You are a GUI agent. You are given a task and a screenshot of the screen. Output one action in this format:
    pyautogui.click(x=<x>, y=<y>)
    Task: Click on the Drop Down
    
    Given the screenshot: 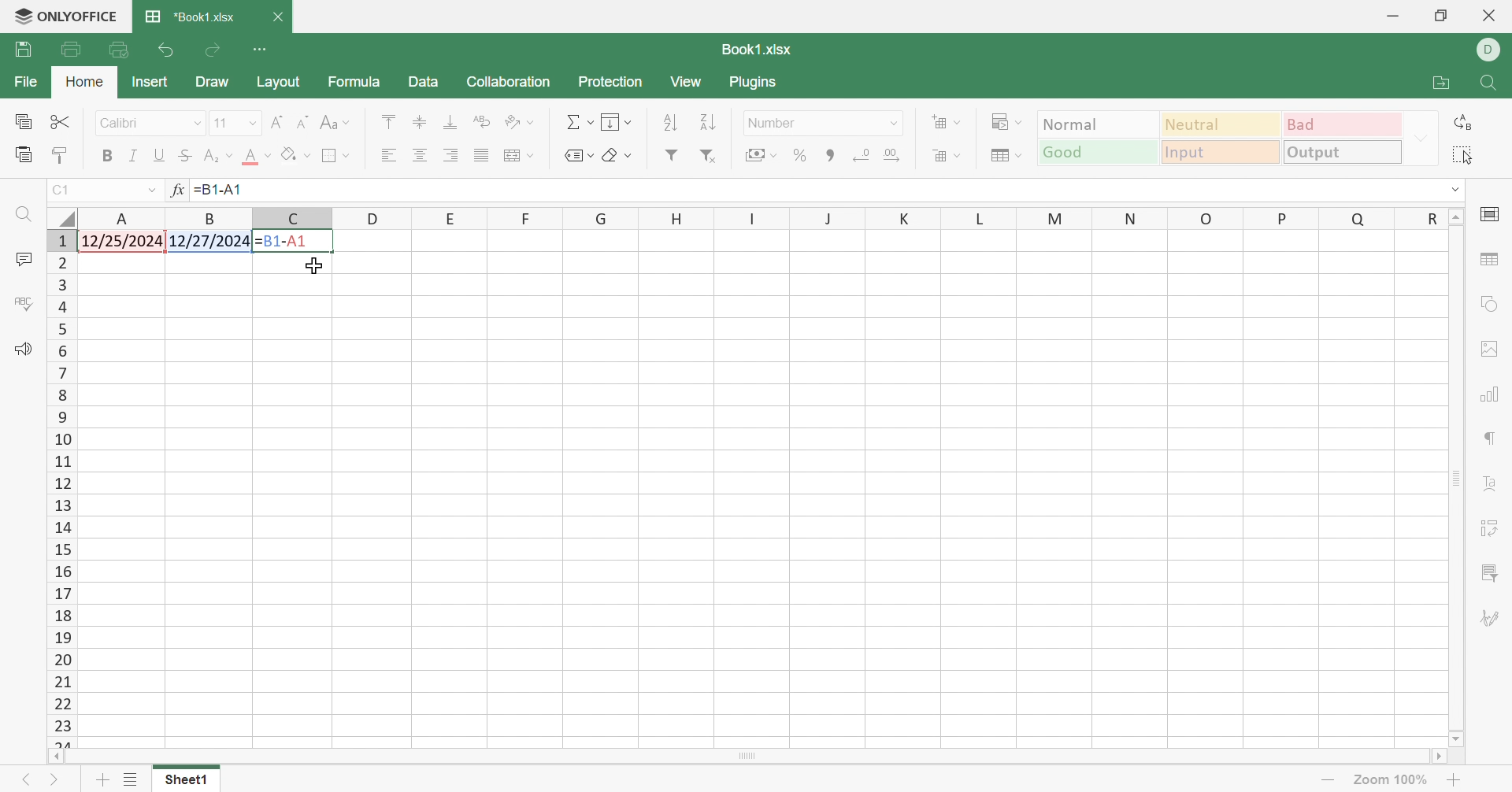 What is the action you would take?
    pyautogui.click(x=198, y=127)
    